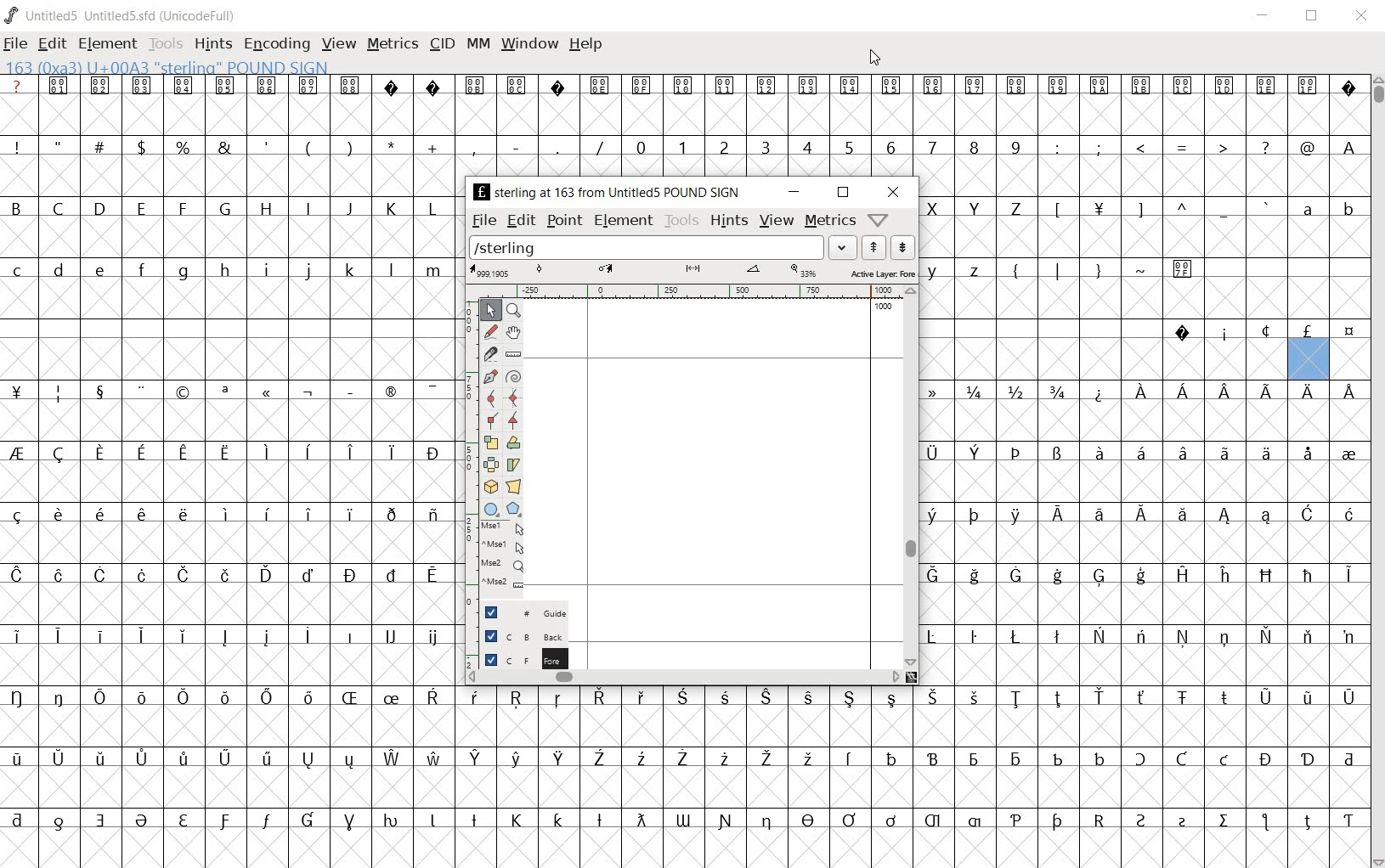 This screenshot has width=1385, height=868. Describe the element at coordinates (20, 759) in the screenshot. I see `Symbol` at that location.